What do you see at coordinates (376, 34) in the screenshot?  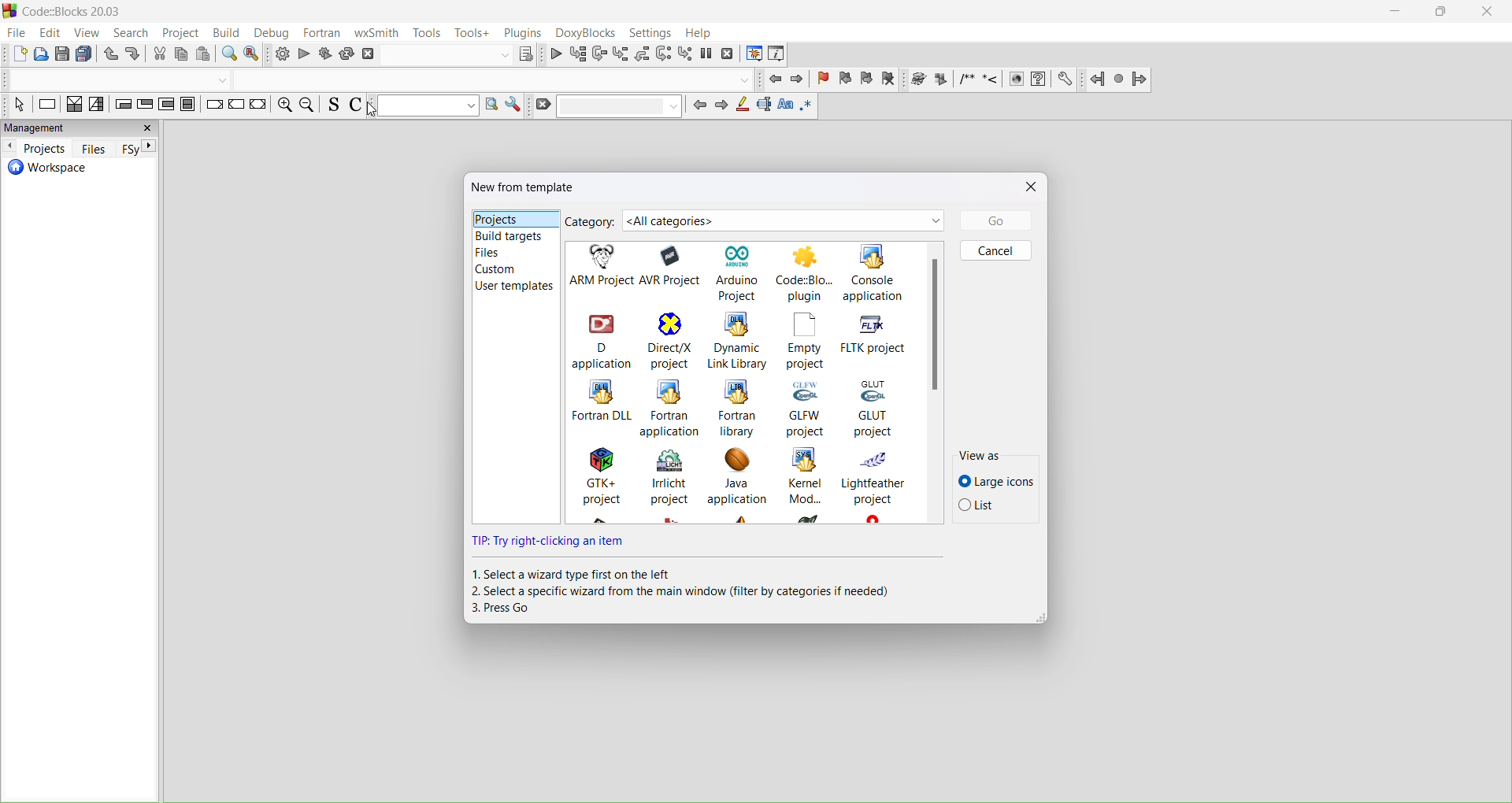 I see `wxSmith` at bounding box center [376, 34].